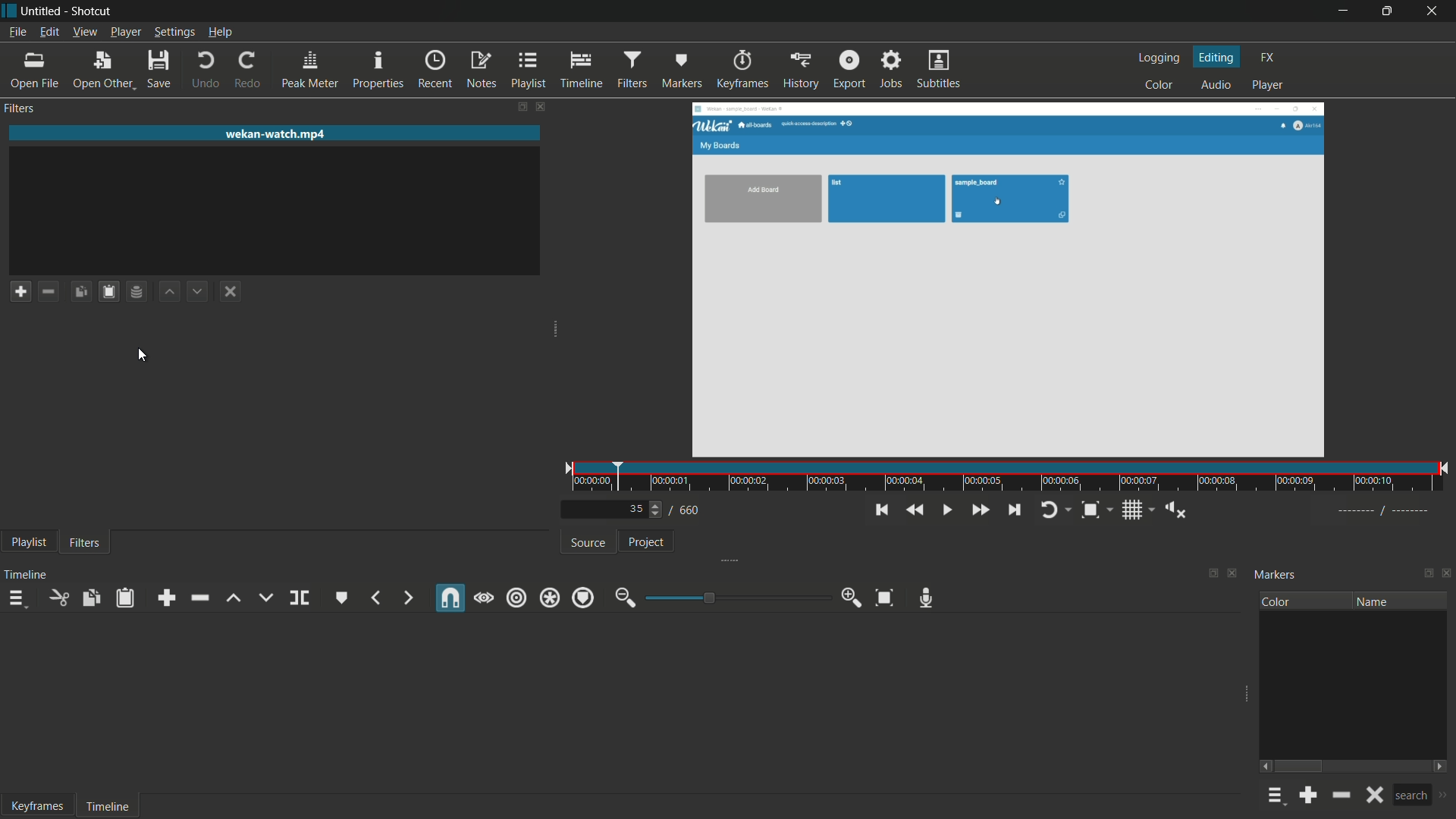 The width and height of the screenshot is (1456, 819). What do you see at coordinates (484, 598) in the screenshot?
I see `scrub while dragging` at bounding box center [484, 598].